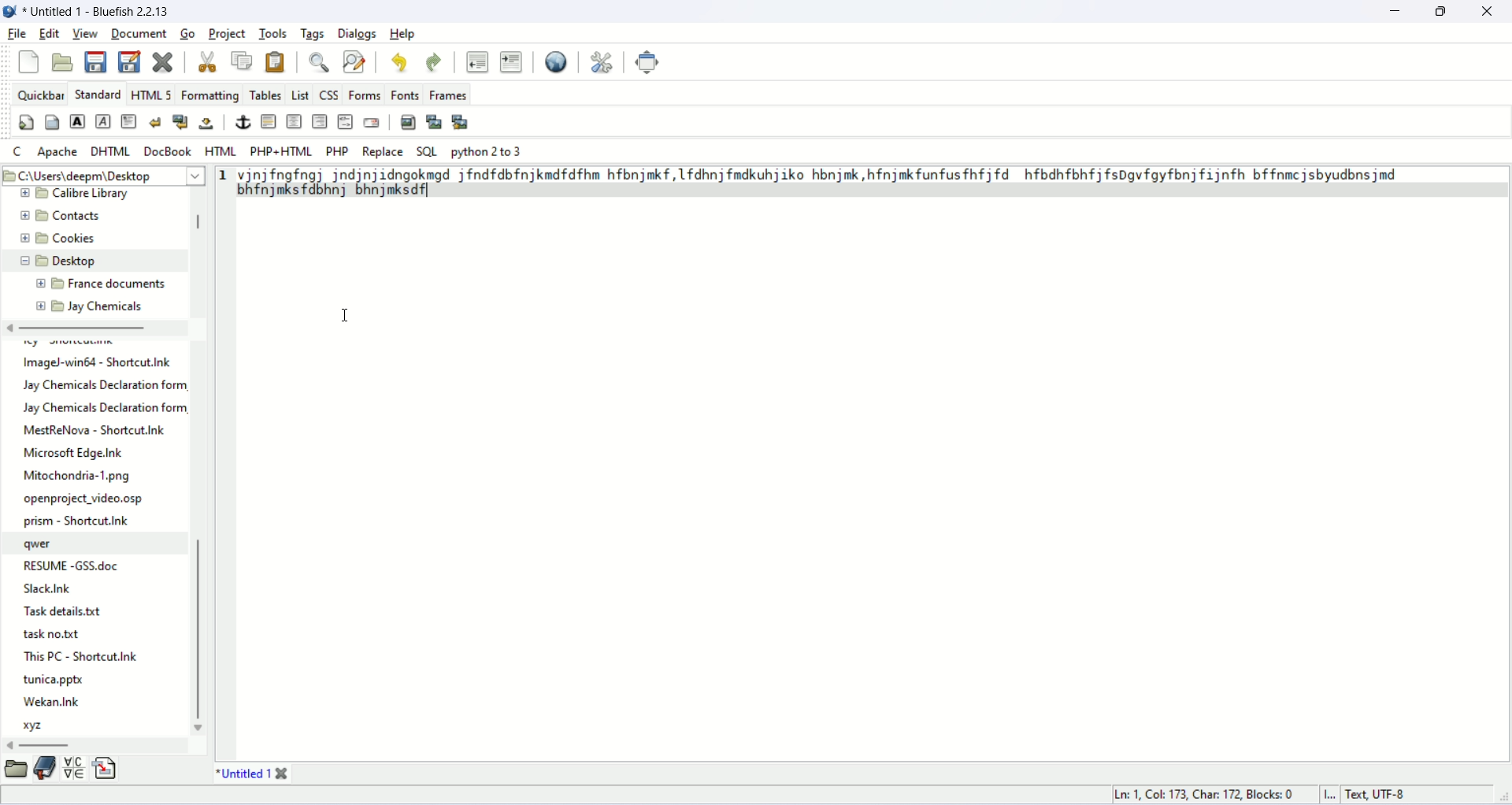 This screenshot has width=1512, height=805. What do you see at coordinates (25, 123) in the screenshot?
I see `quickstart` at bounding box center [25, 123].